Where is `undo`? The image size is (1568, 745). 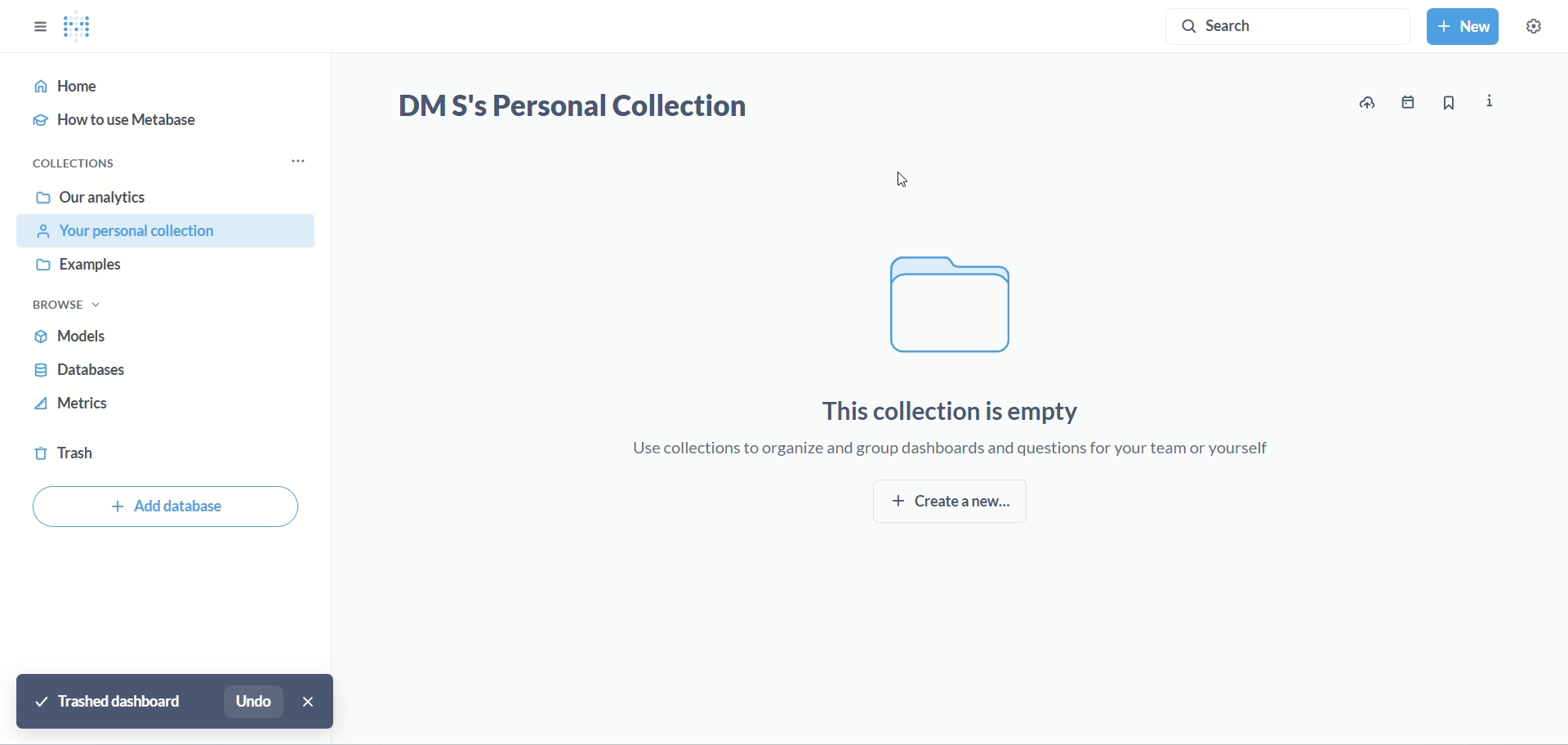 undo is located at coordinates (256, 702).